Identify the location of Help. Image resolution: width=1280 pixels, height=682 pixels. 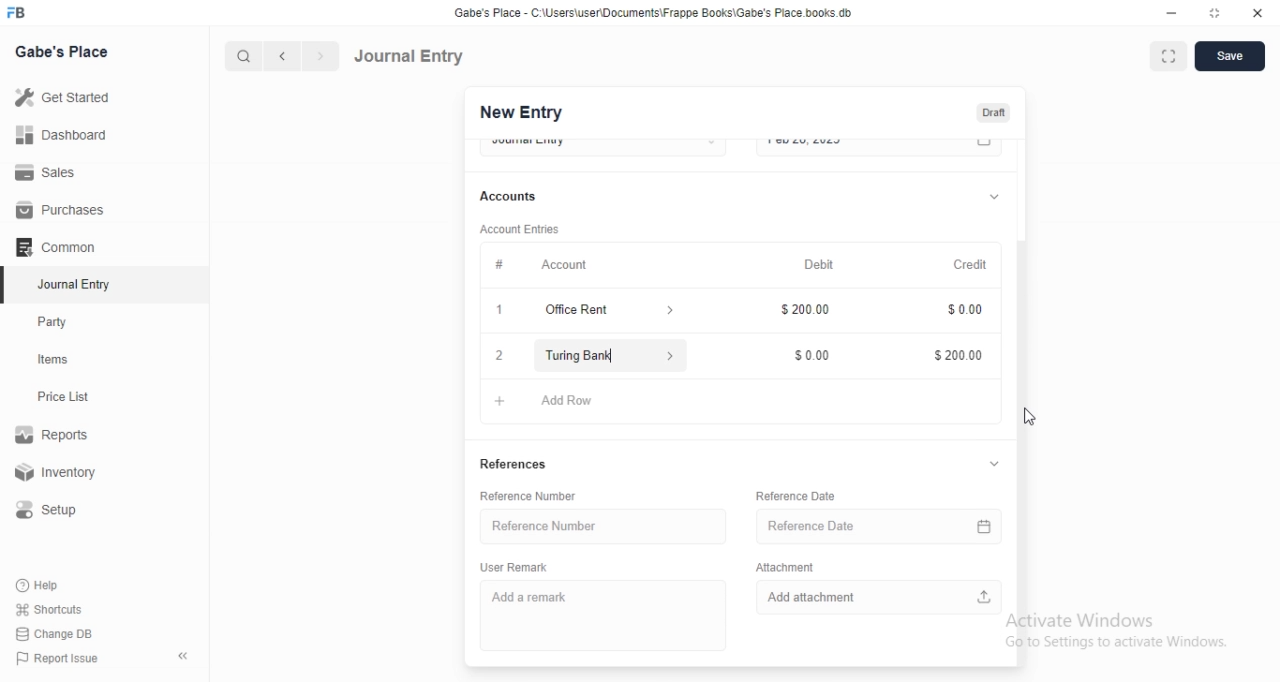
(41, 585).